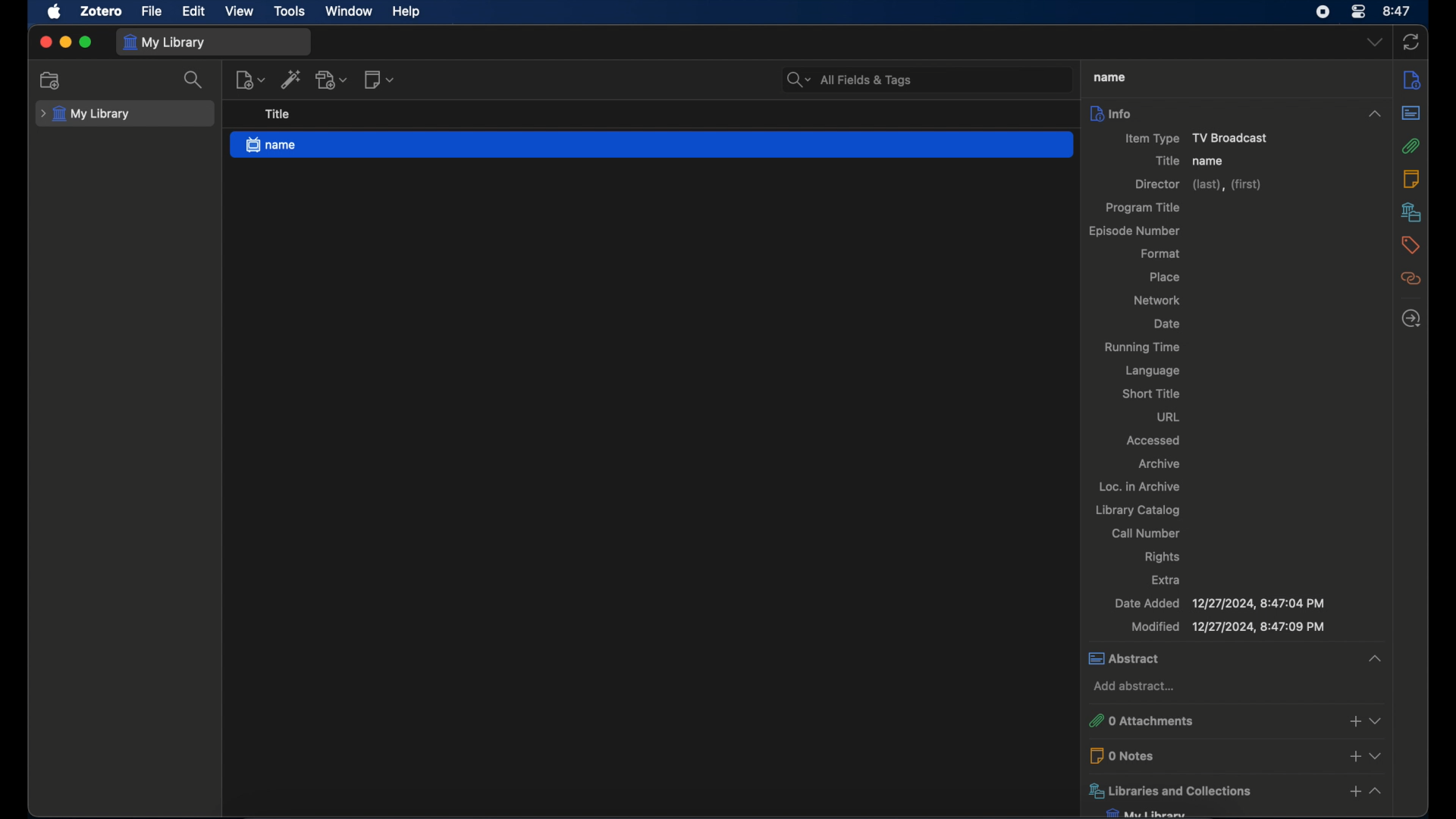 This screenshot has height=819, width=1456. What do you see at coordinates (1373, 654) in the screenshot?
I see `collapse` at bounding box center [1373, 654].